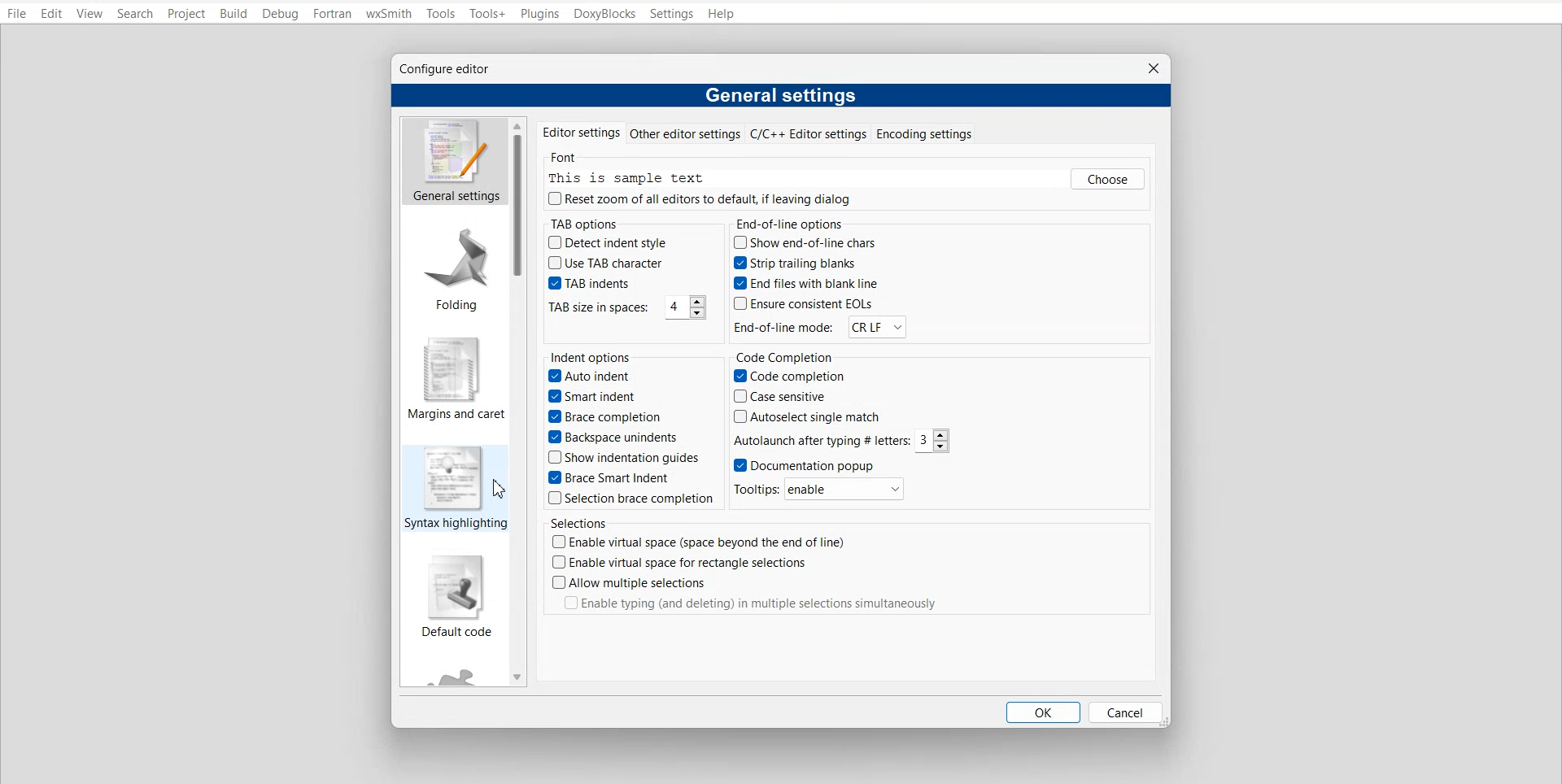 The width and height of the screenshot is (1562, 784). I want to click on Enable typing, so click(749, 603).